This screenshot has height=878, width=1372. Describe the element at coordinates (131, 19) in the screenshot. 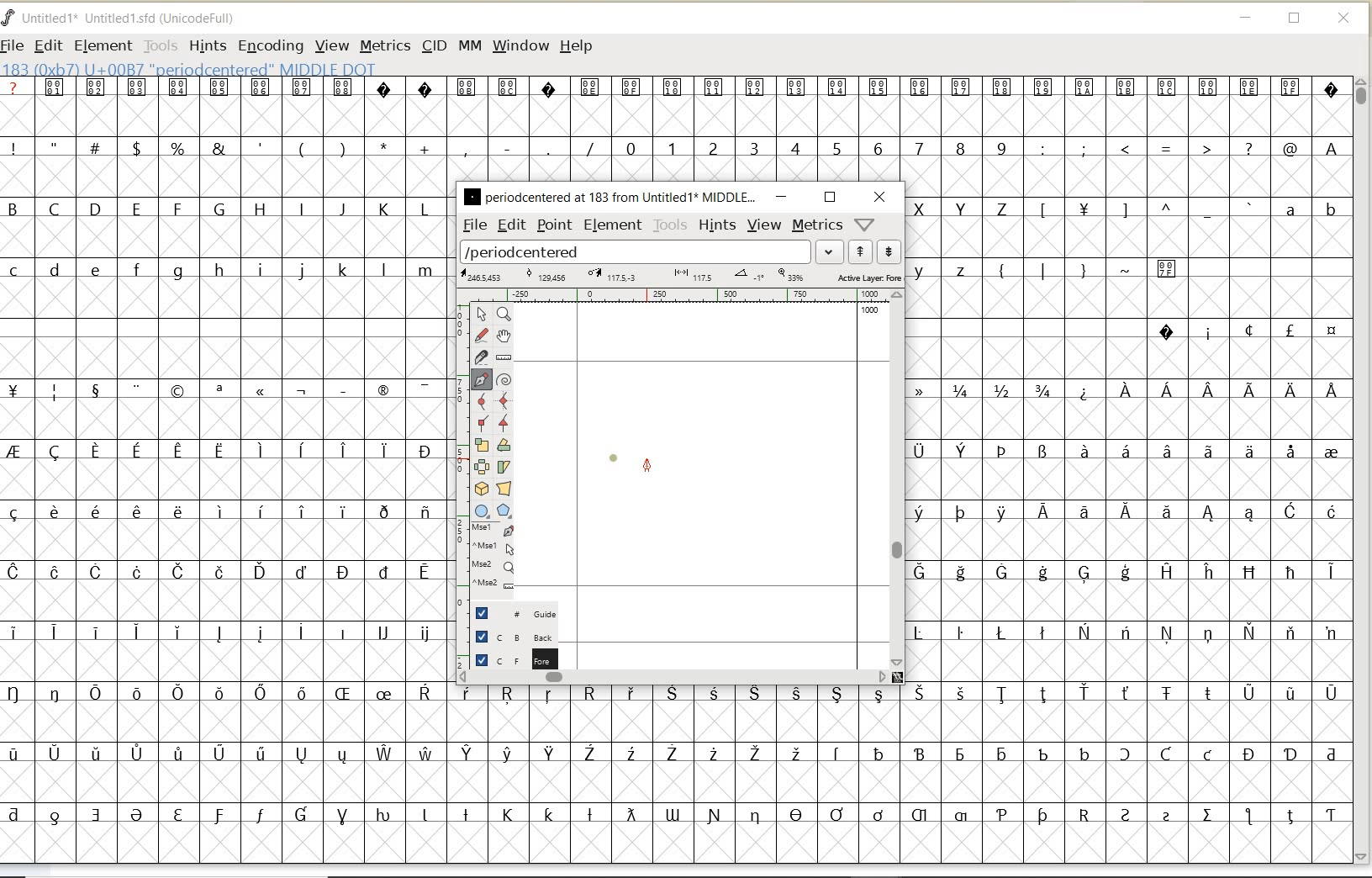

I see `FONT NAME` at that location.